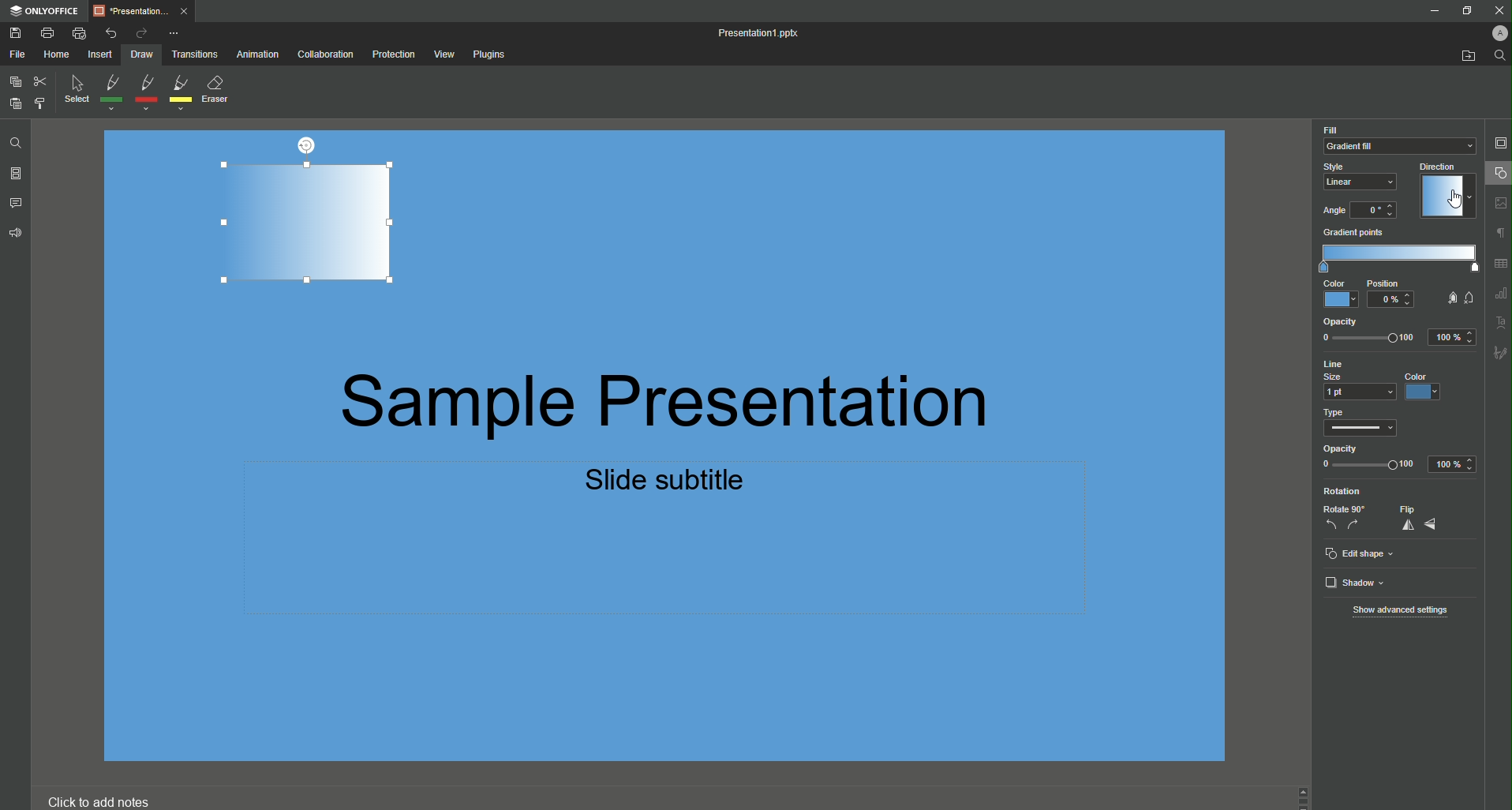  Describe the element at coordinates (140, 32) in the screenshot. I see `Redo` at that location.